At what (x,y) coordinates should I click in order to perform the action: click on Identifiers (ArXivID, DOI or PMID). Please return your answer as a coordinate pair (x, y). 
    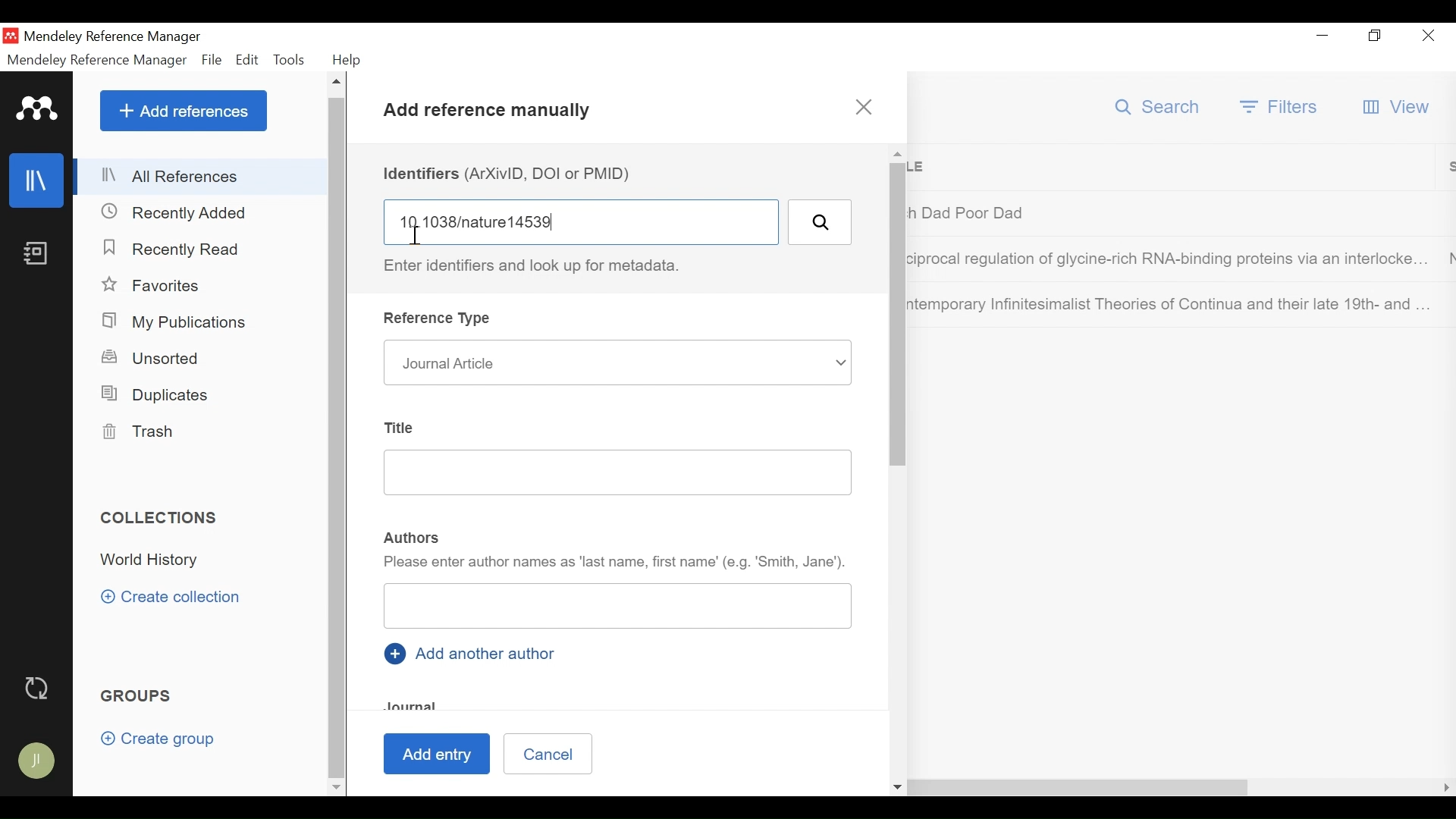
    Looking at the image, I should click on (512, 173).